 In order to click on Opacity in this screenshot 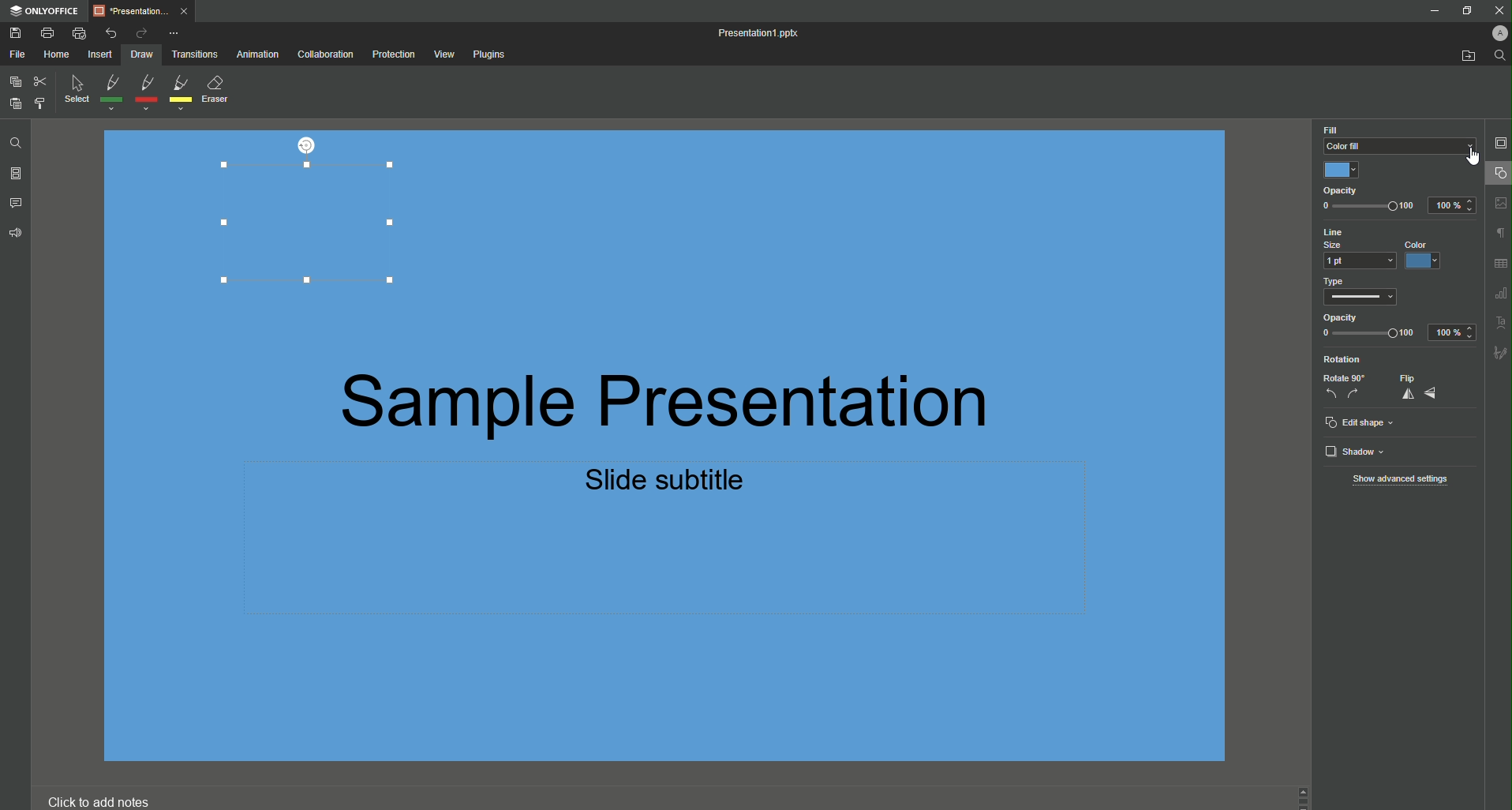, I will do `click(1369, 327)`.